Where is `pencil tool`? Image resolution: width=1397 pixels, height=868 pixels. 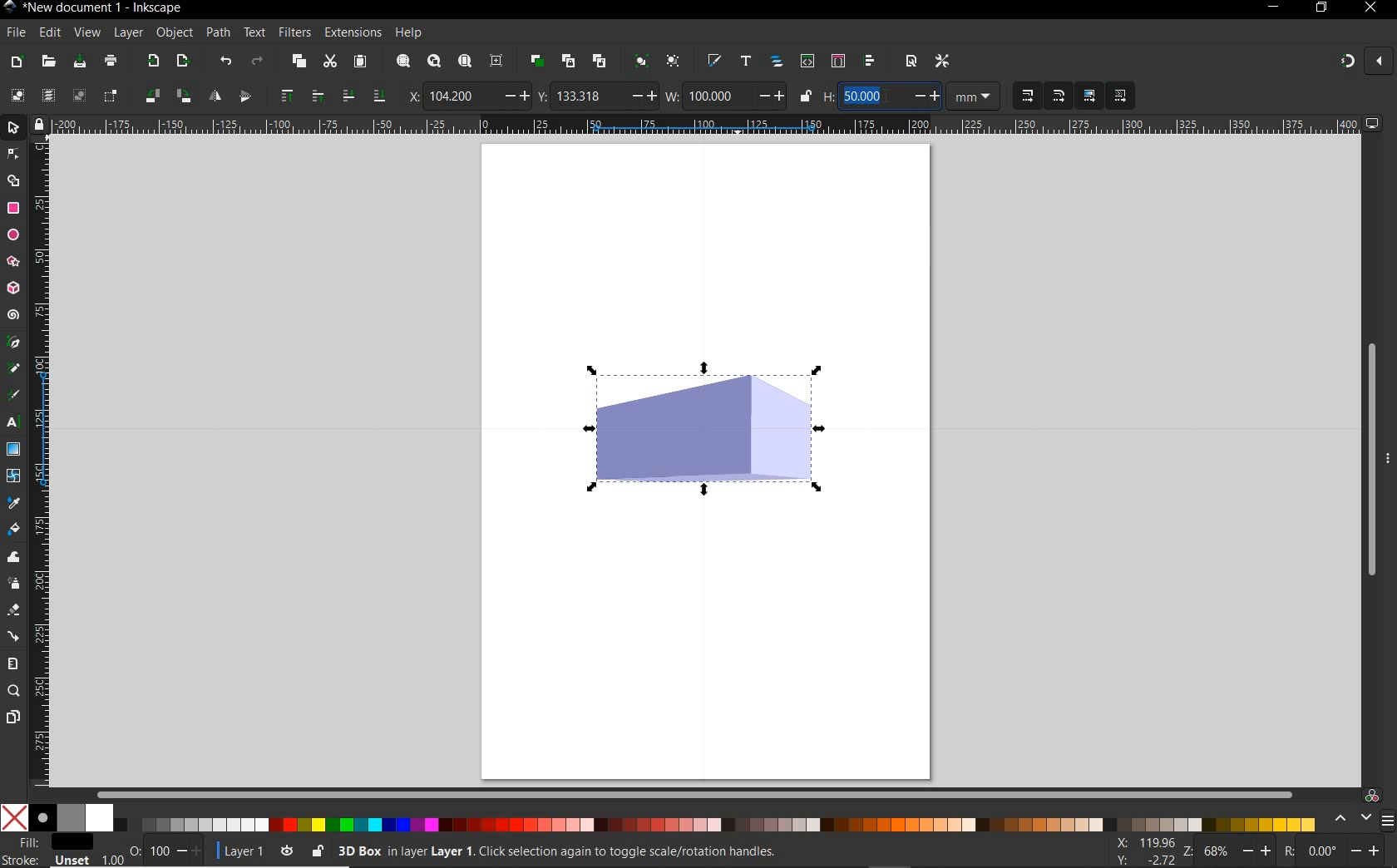 pencil tool is located at coordinates (11, 369).